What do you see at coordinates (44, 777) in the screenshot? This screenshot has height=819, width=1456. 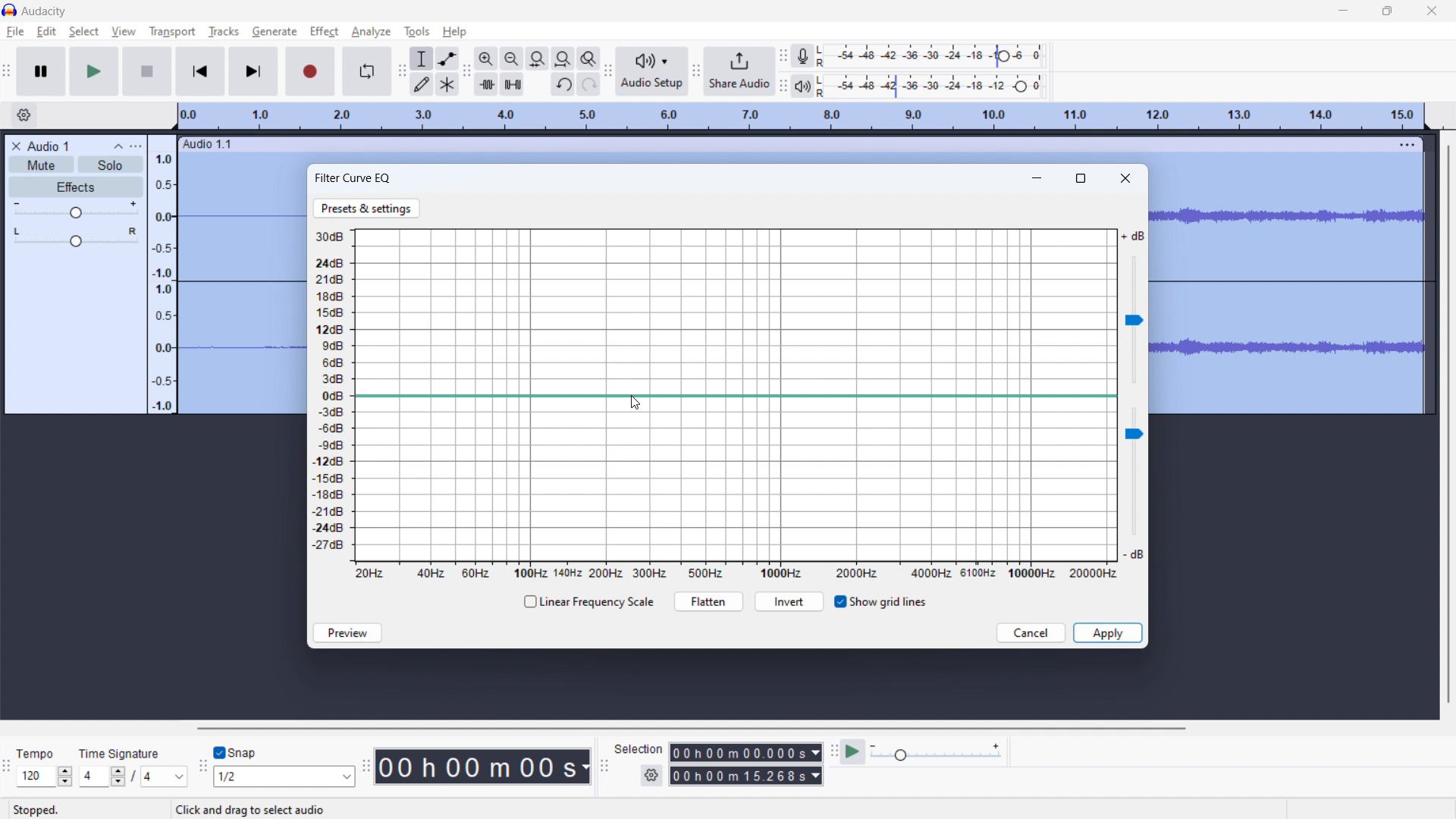 I see `120 (select tempo )` at bounding box center [44, 777].